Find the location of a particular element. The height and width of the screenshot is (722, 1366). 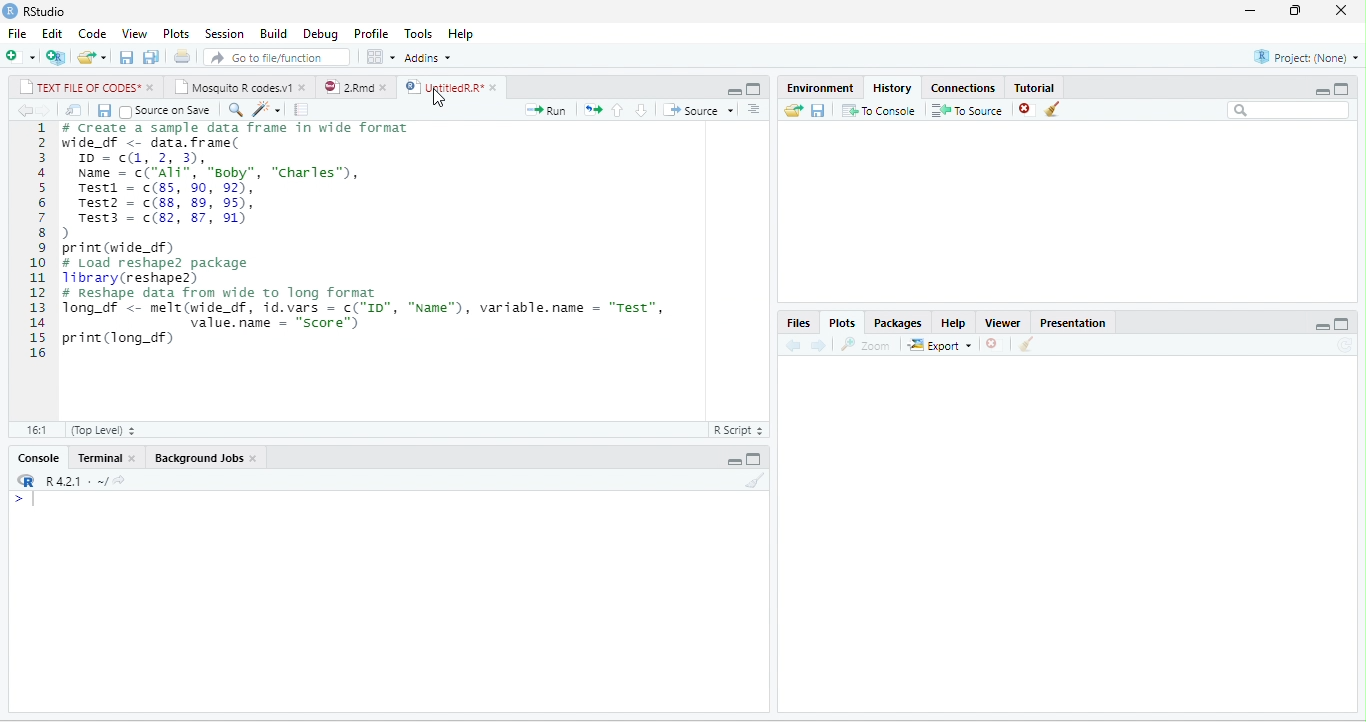

2.Rmd is located at coordinates (348, 87).